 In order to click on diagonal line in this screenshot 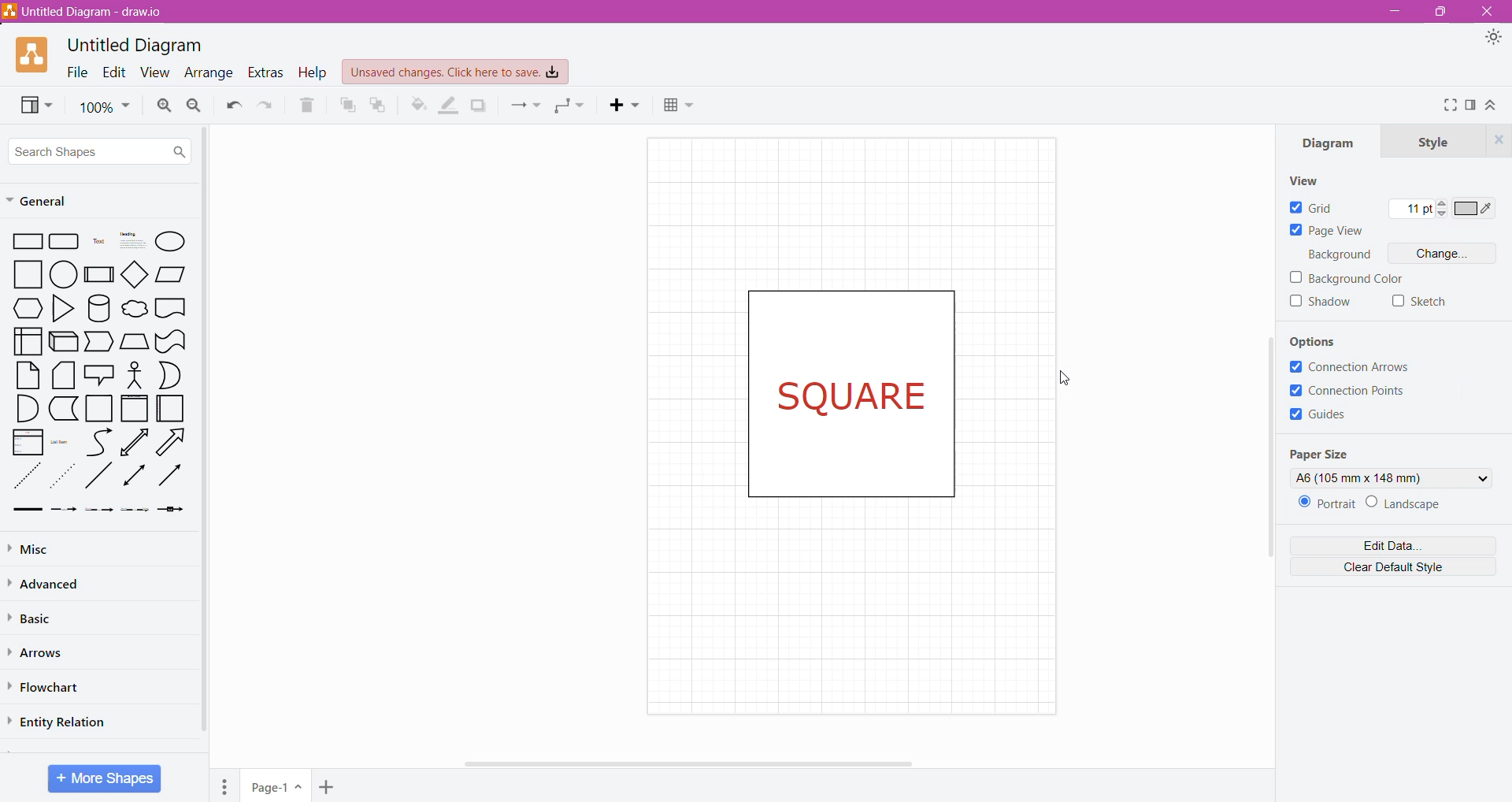, I will do `click(100, 475)`.